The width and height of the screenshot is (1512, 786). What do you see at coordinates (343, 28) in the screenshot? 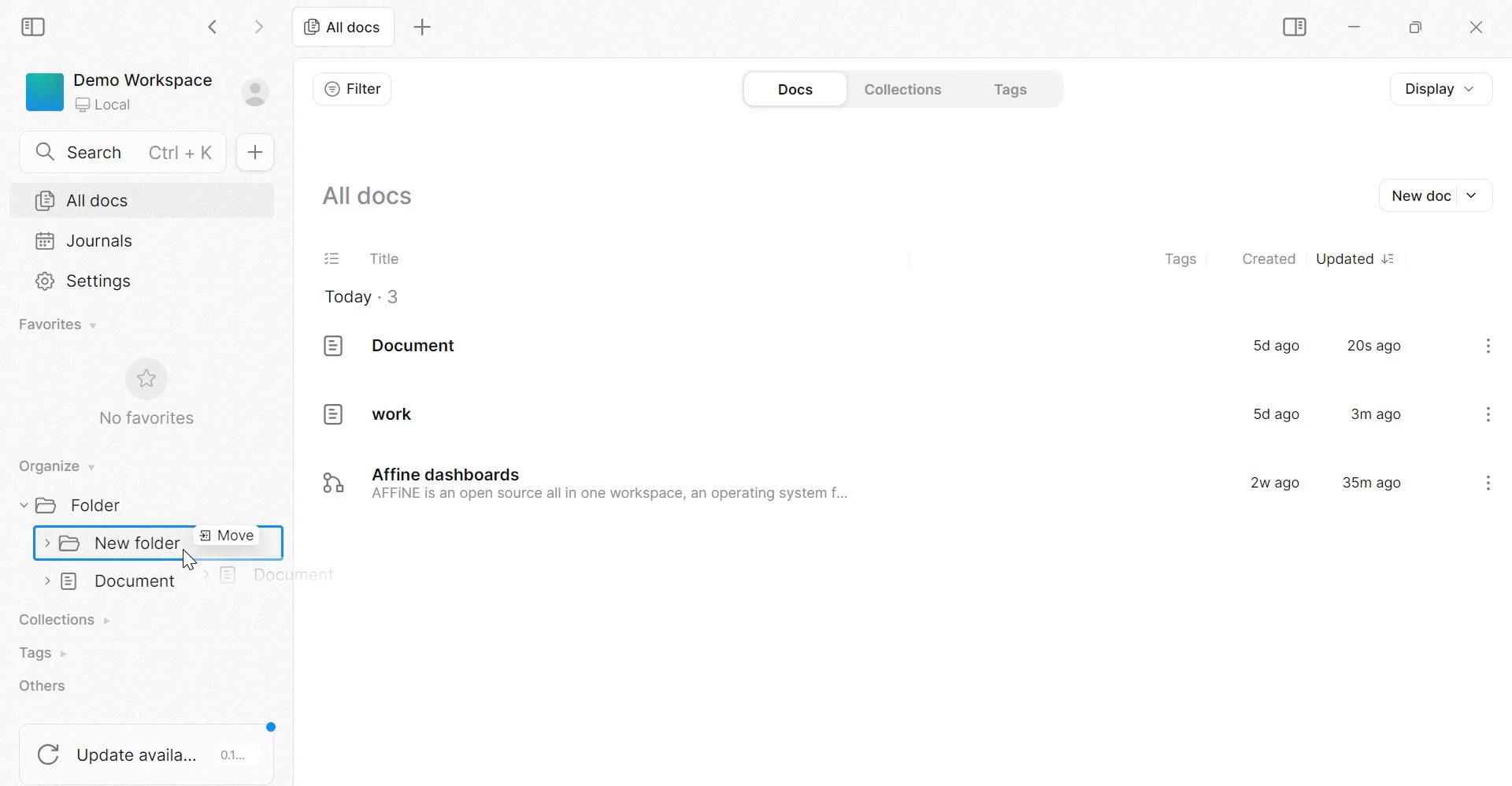
I see `All docs` at bounding box center [343, 28].